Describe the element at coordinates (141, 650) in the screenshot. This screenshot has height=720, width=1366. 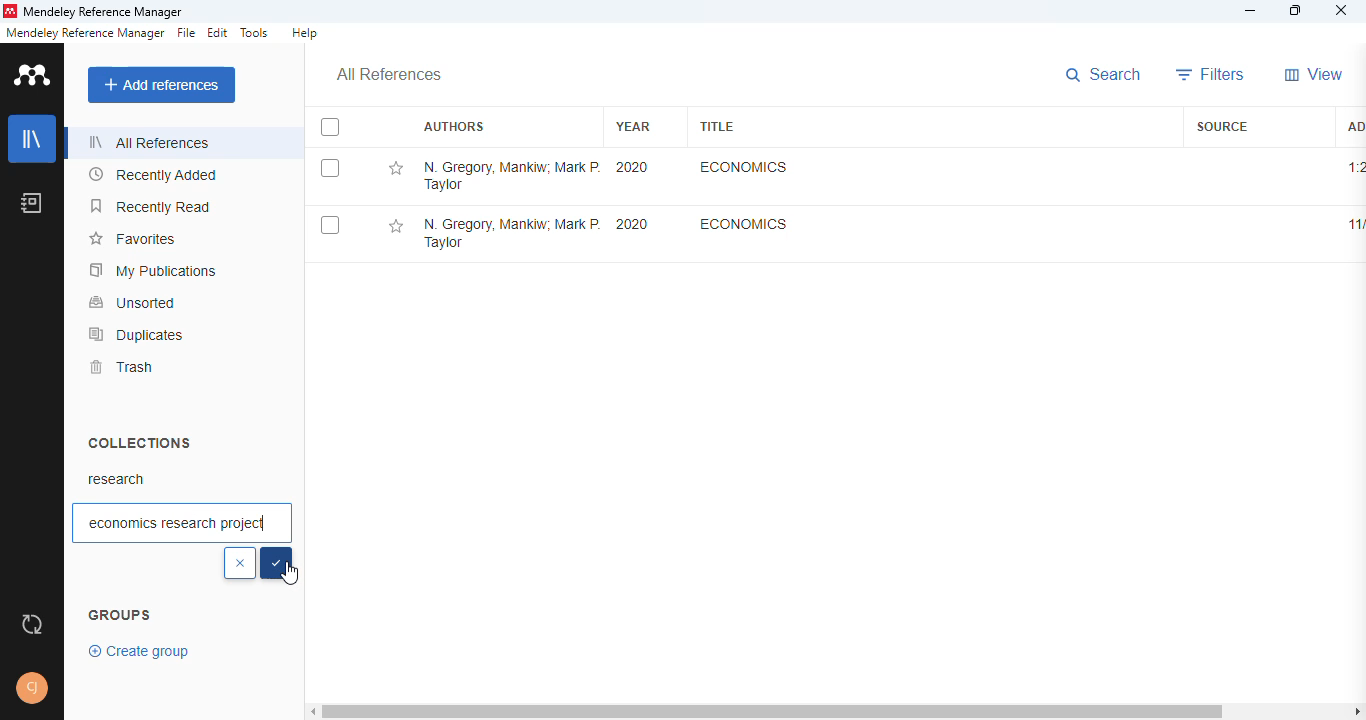
I see `create group` at that location.